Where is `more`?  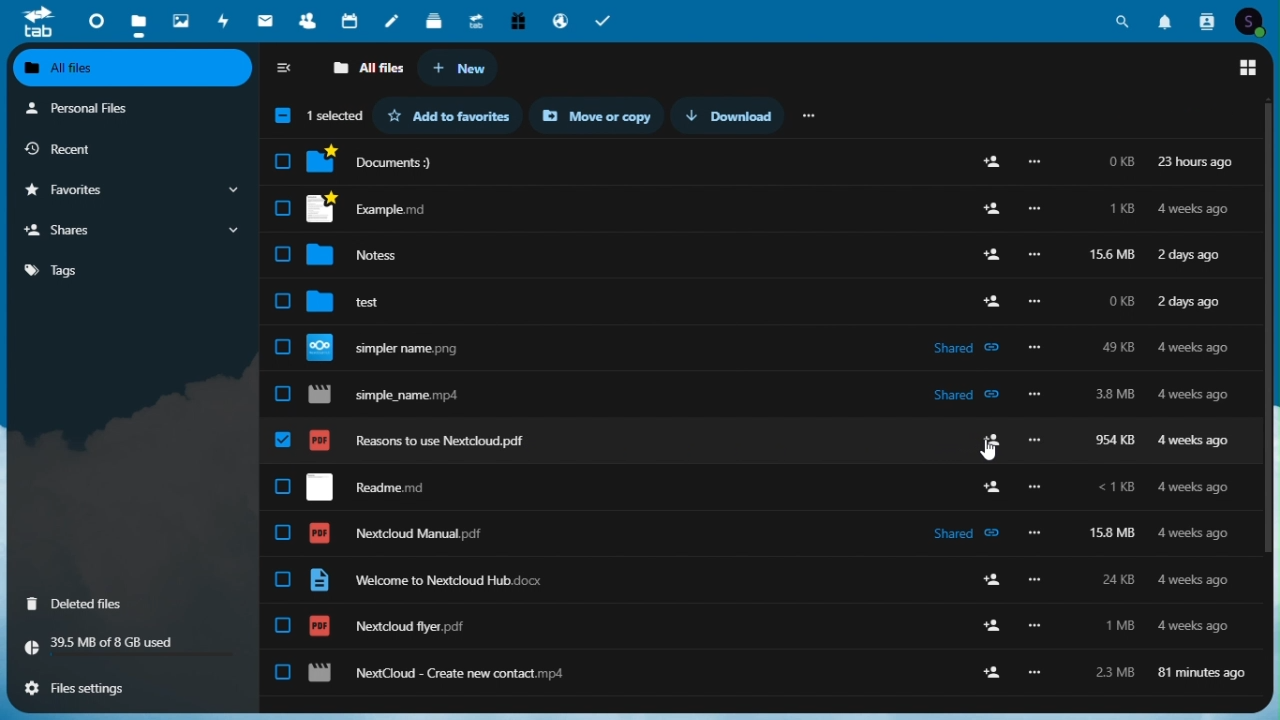
more is located at coordinates (812, 116).